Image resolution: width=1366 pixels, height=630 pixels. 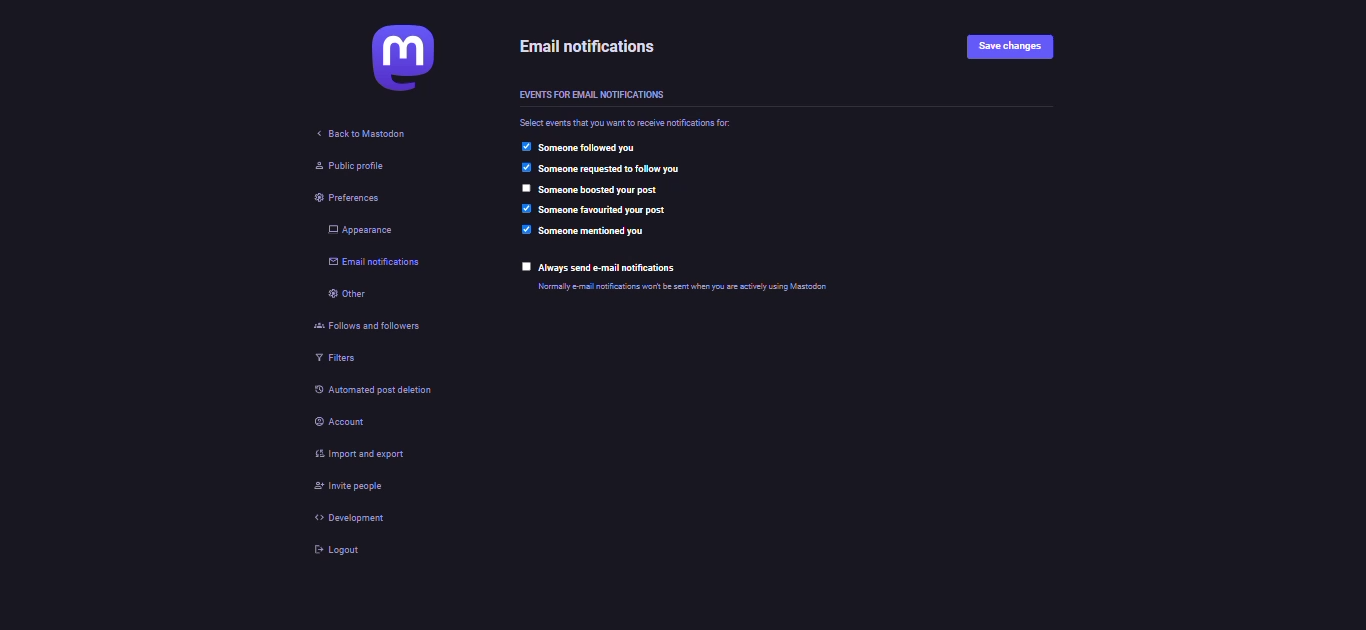 I want to click on account, so click(x=335, y=420).